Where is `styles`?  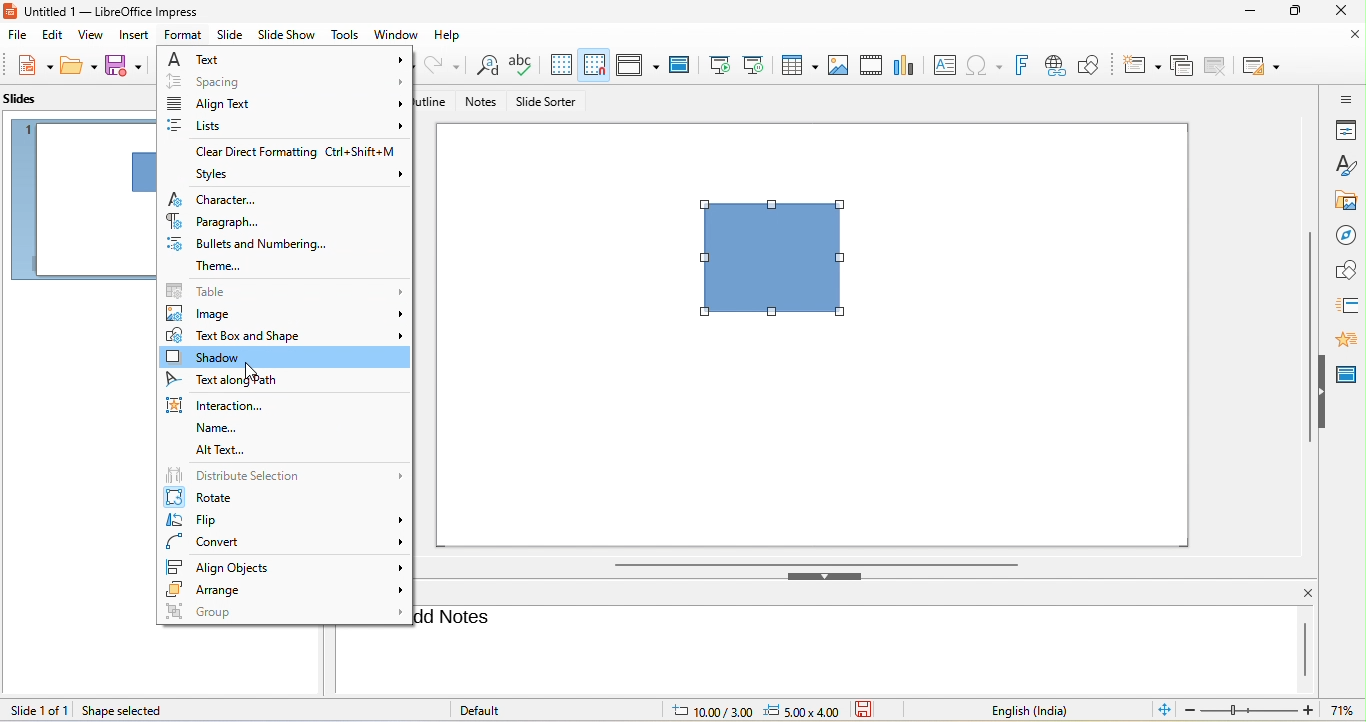 styles is located at coordinates (303, 175).